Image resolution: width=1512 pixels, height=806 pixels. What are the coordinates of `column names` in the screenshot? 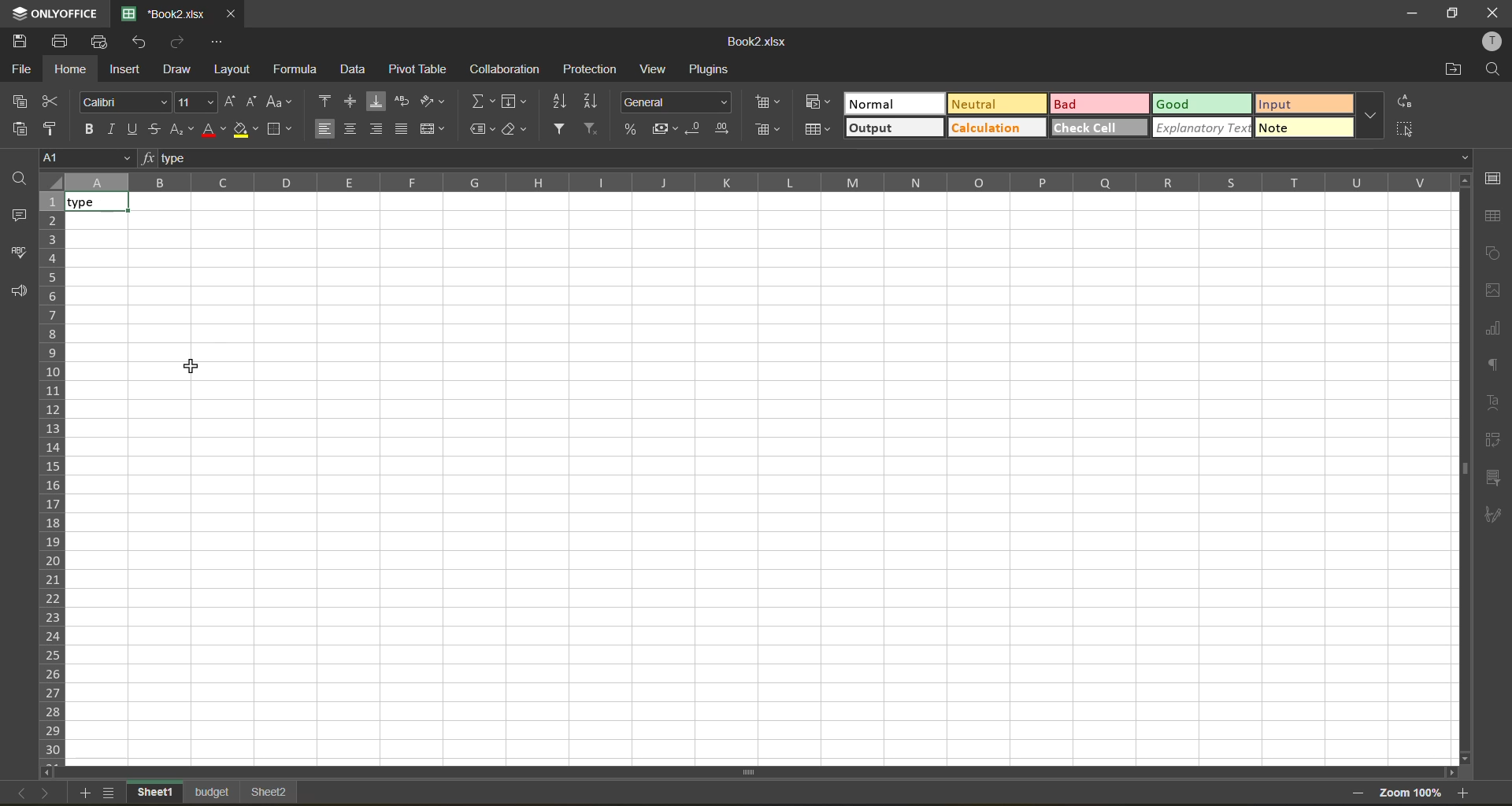 It's located at (758, 185).